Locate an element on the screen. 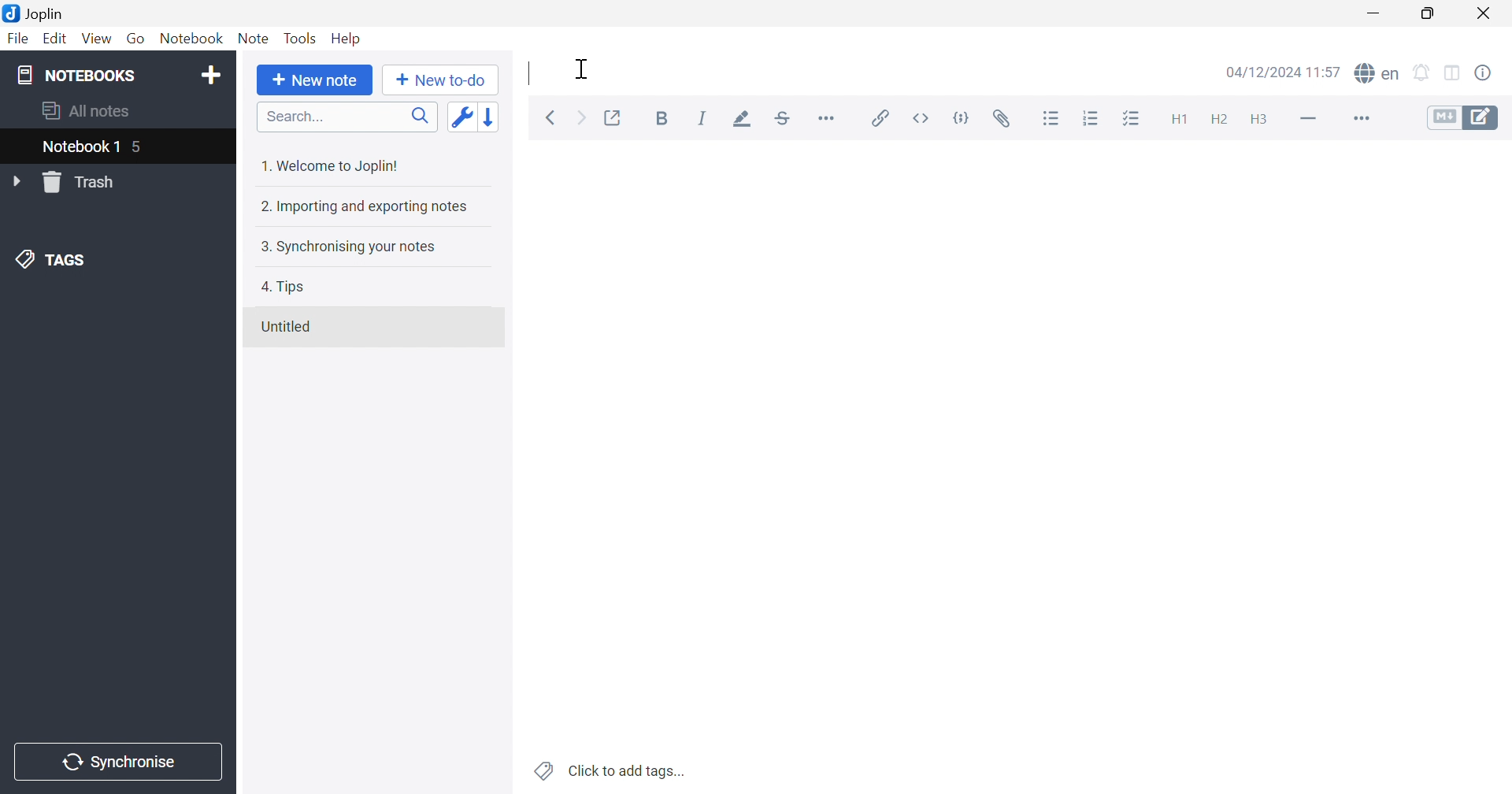  Checkbox list is located at coordinates (1136, 118).